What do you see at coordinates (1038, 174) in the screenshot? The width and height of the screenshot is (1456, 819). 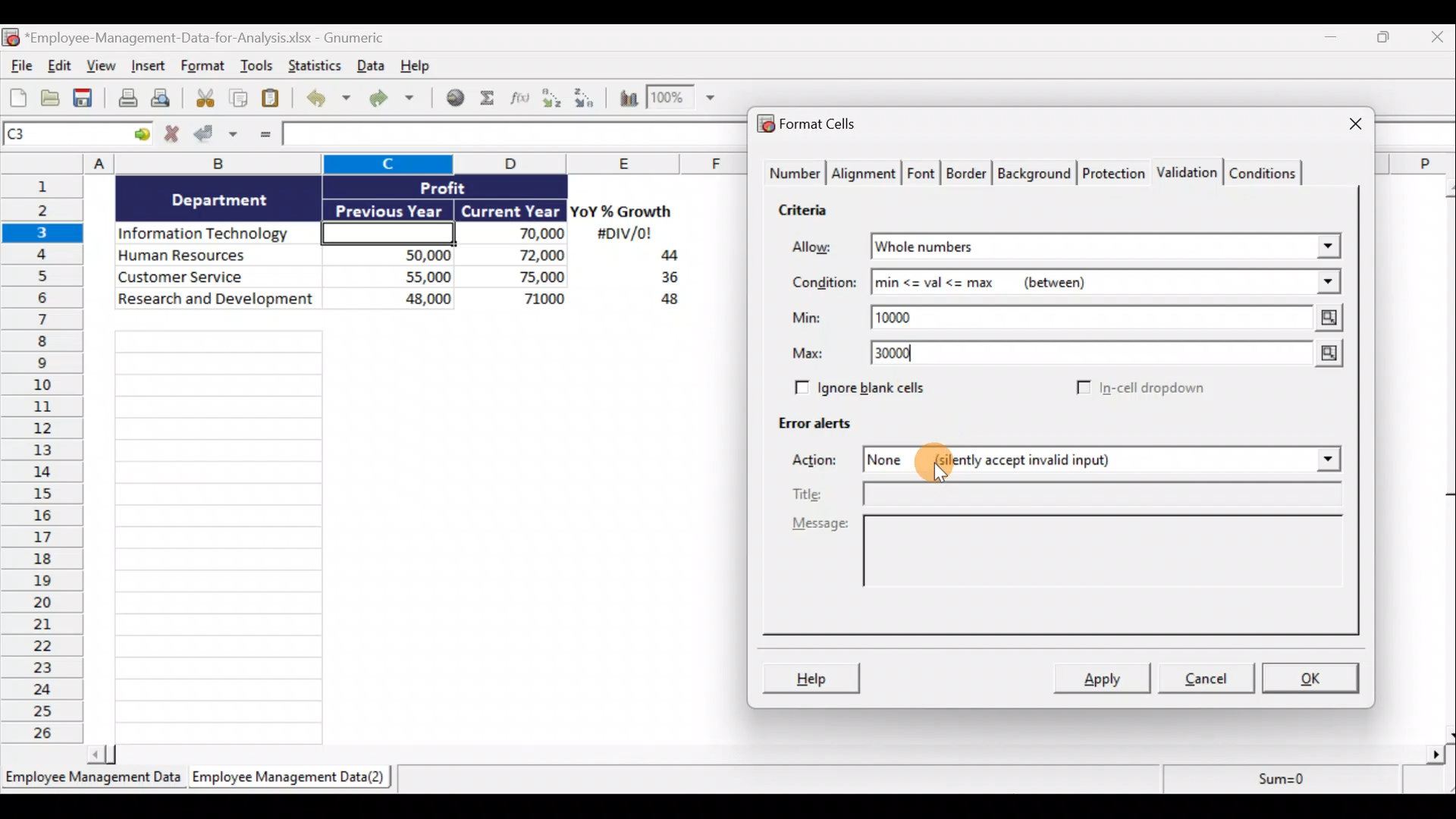 I see `Background` at bounding box center [1038, 174].